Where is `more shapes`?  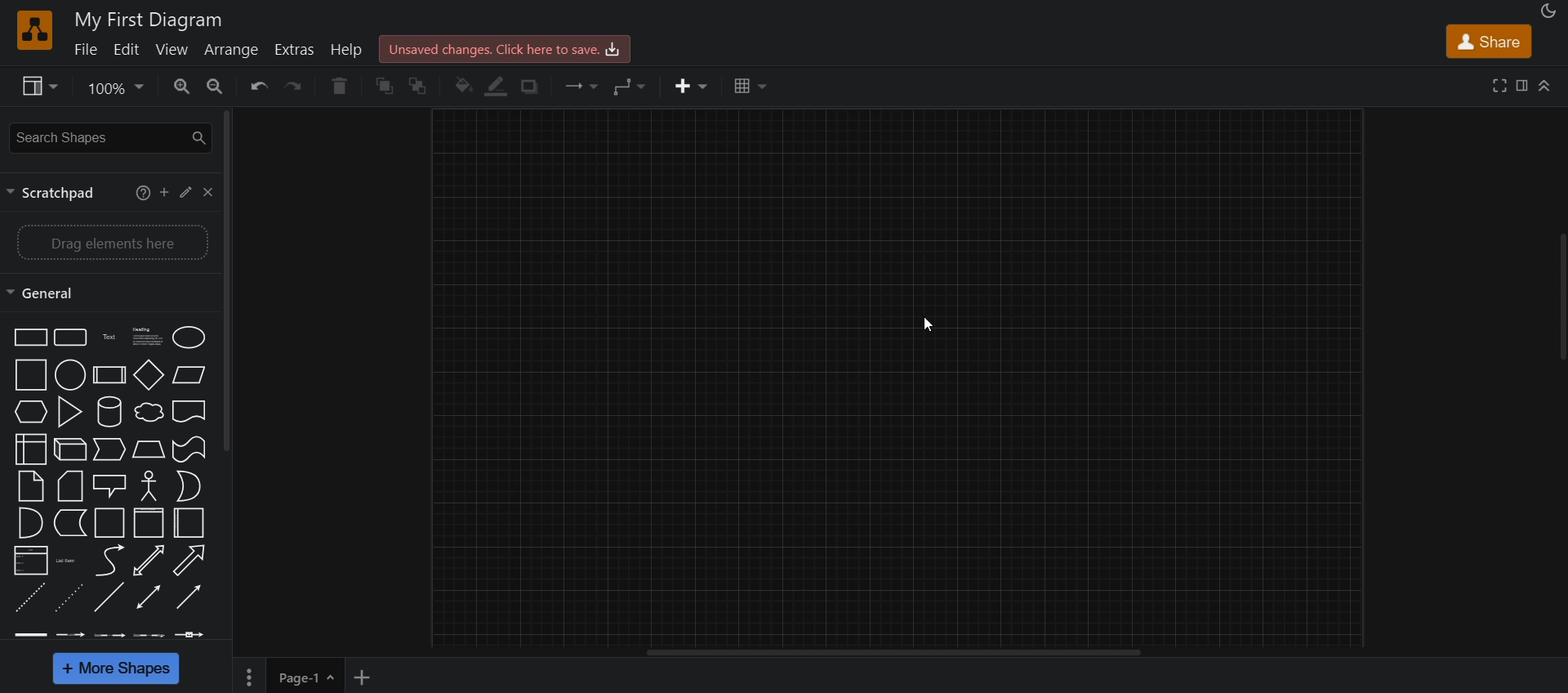
more shapes is located at coordinates (118, 669).